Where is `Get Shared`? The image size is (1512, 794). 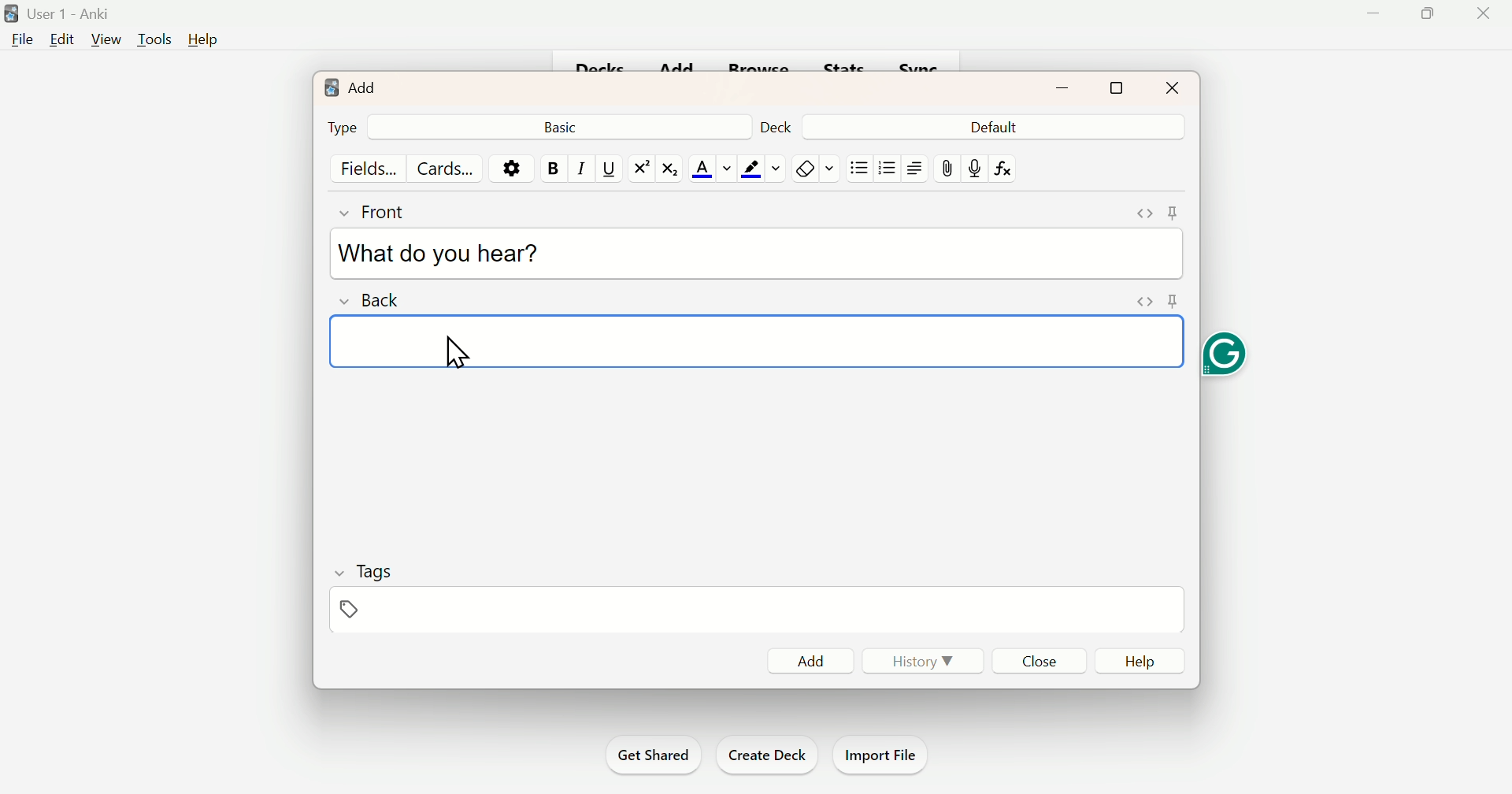 Get Shared is located at coordinates (651, 752).